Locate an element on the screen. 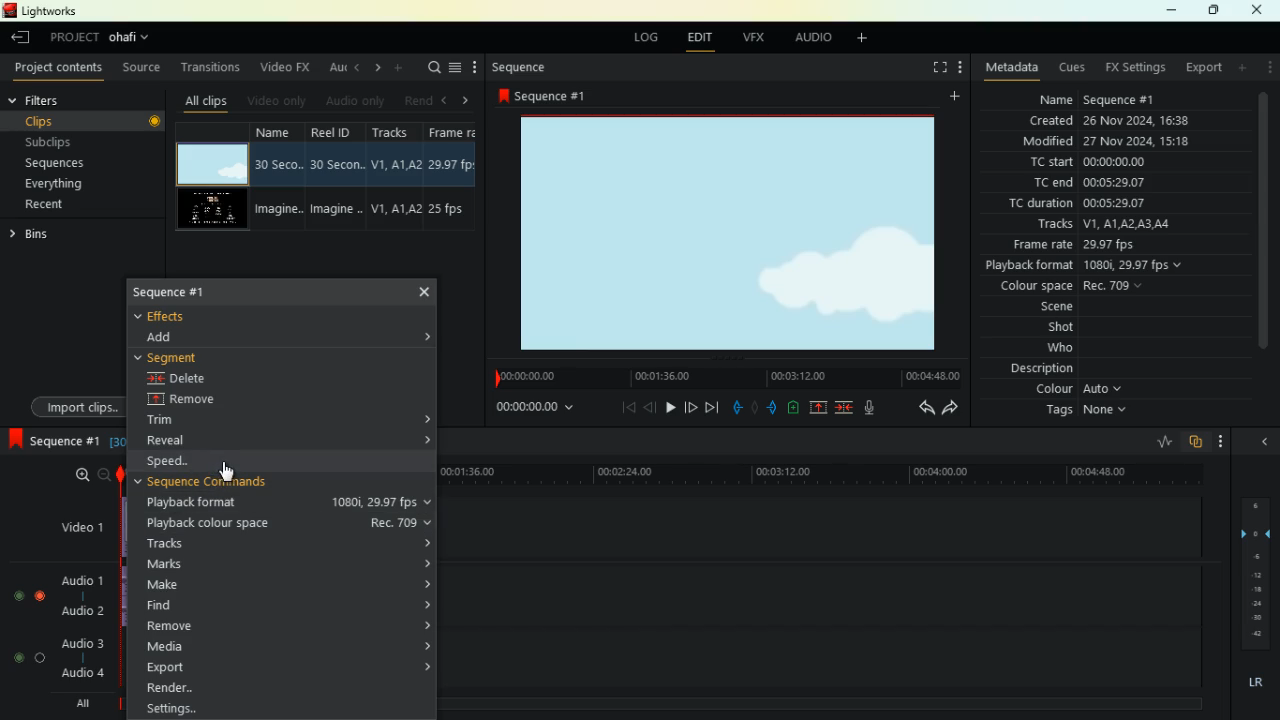  zoom is located at coordinates (82, 474).